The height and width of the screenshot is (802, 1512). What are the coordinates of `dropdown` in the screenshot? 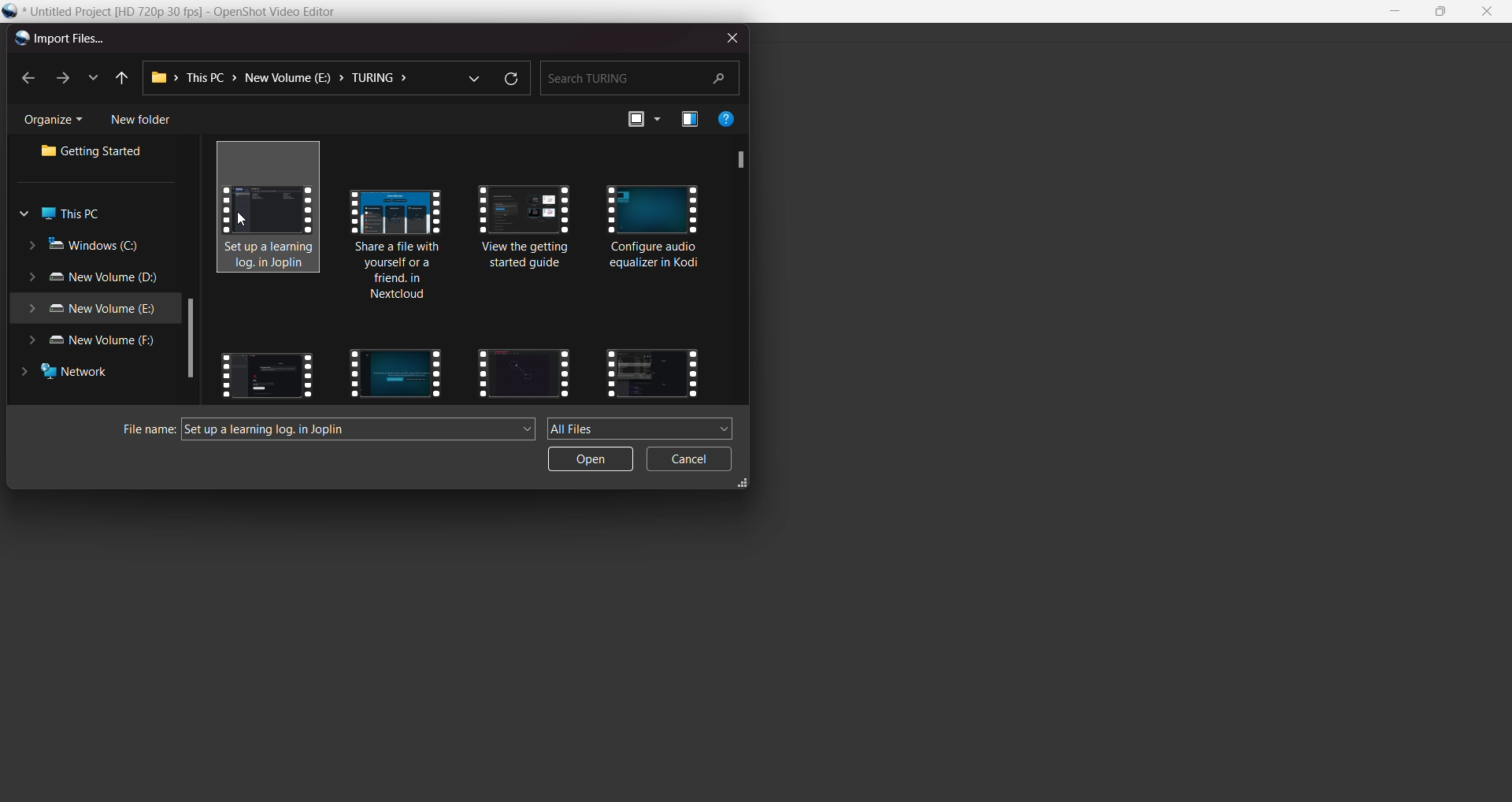 It's located at (472, 76).